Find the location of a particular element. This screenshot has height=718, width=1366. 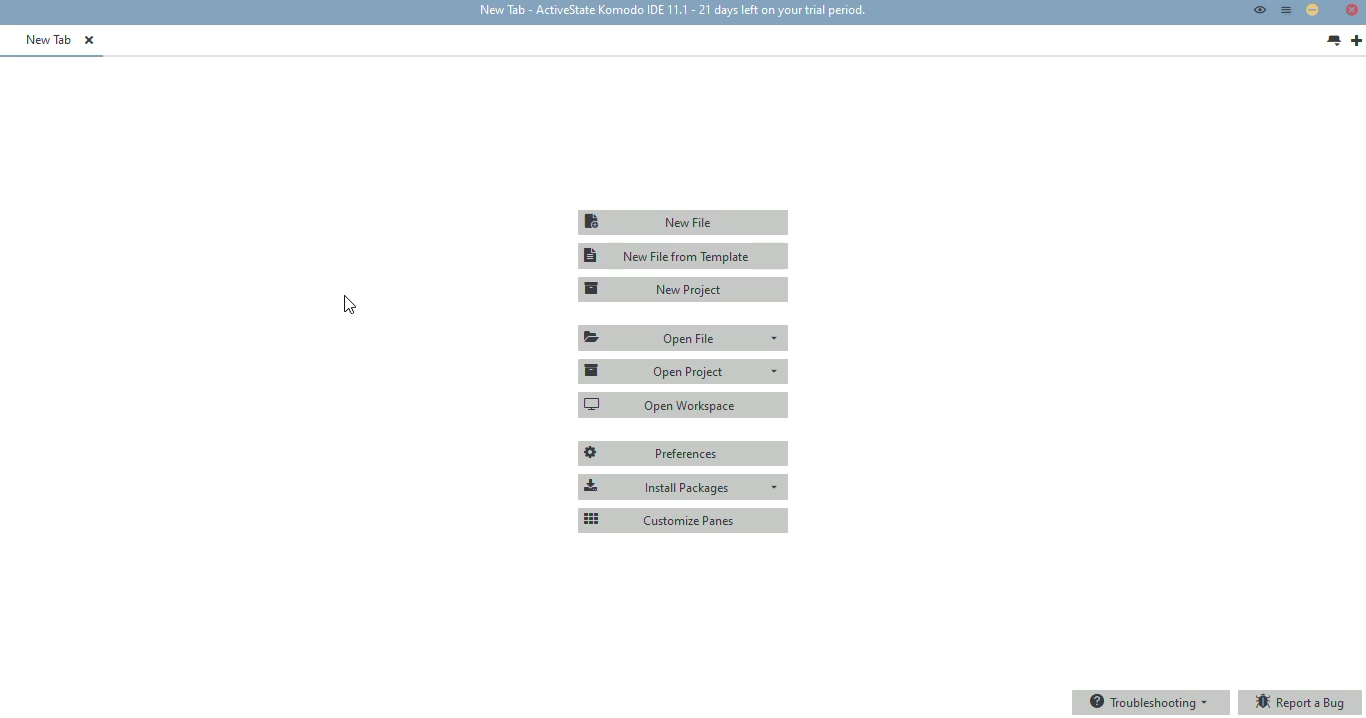

menu is located at coordinates (1287, 10).